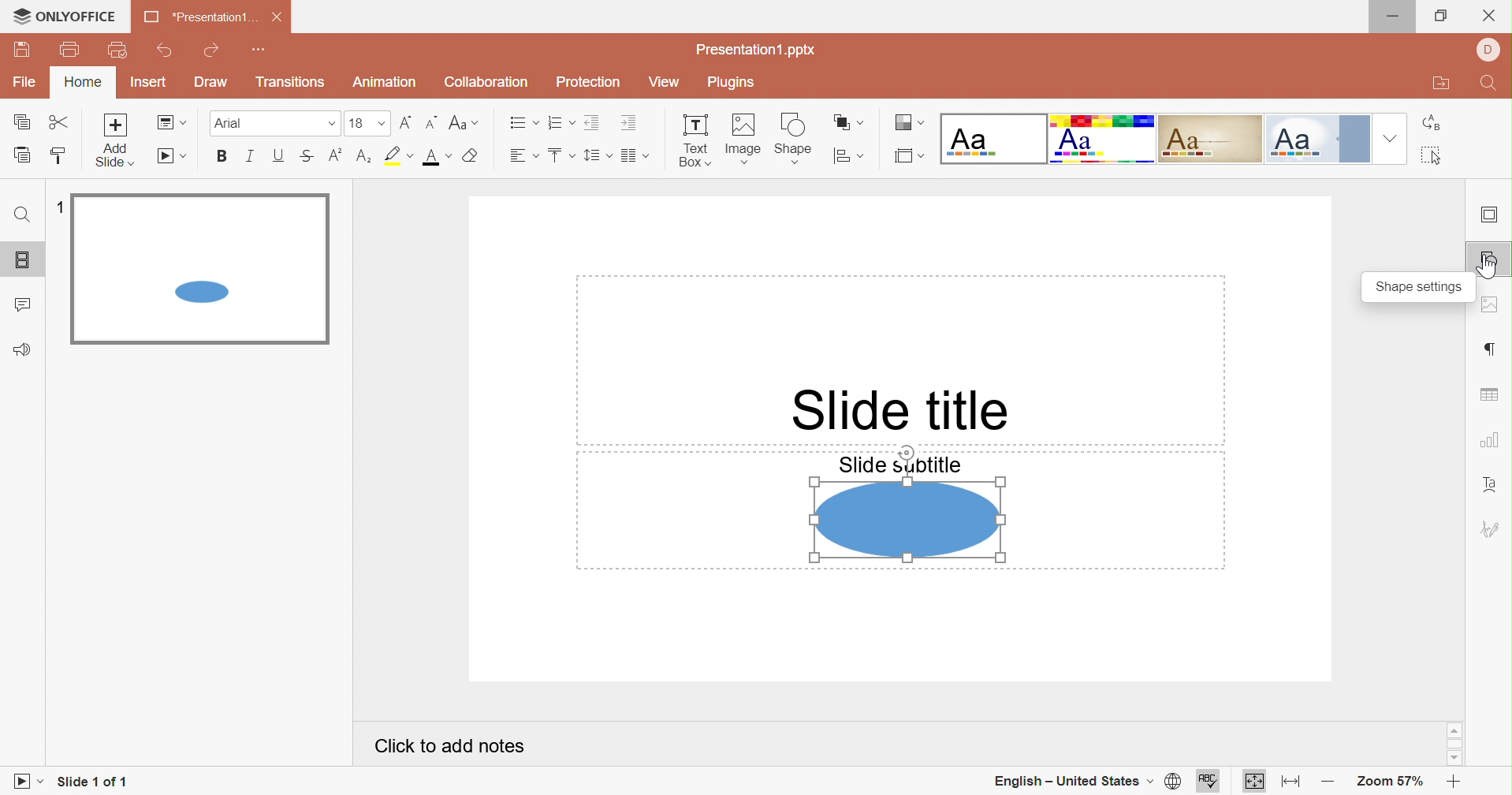 This screenshot has height=795, width=1512. What do you see at coordinates (277, 155) in the screenshot?
I see `Underline` at bounding box center [277, 155].